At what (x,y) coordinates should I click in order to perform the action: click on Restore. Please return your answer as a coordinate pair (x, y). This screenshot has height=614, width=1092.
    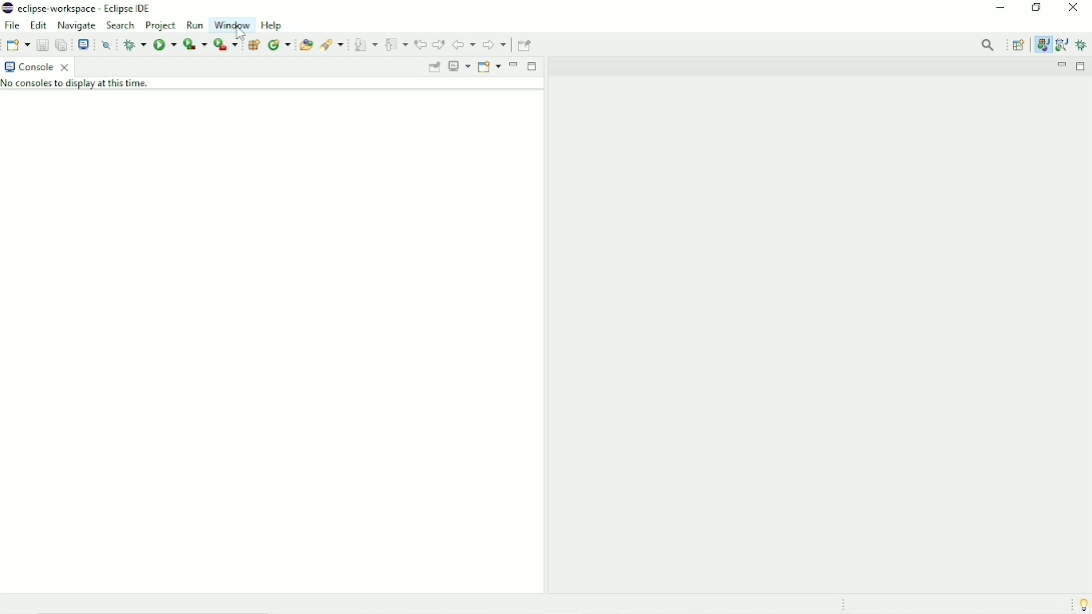
    Looking at the image, I should click on (1040, 9).